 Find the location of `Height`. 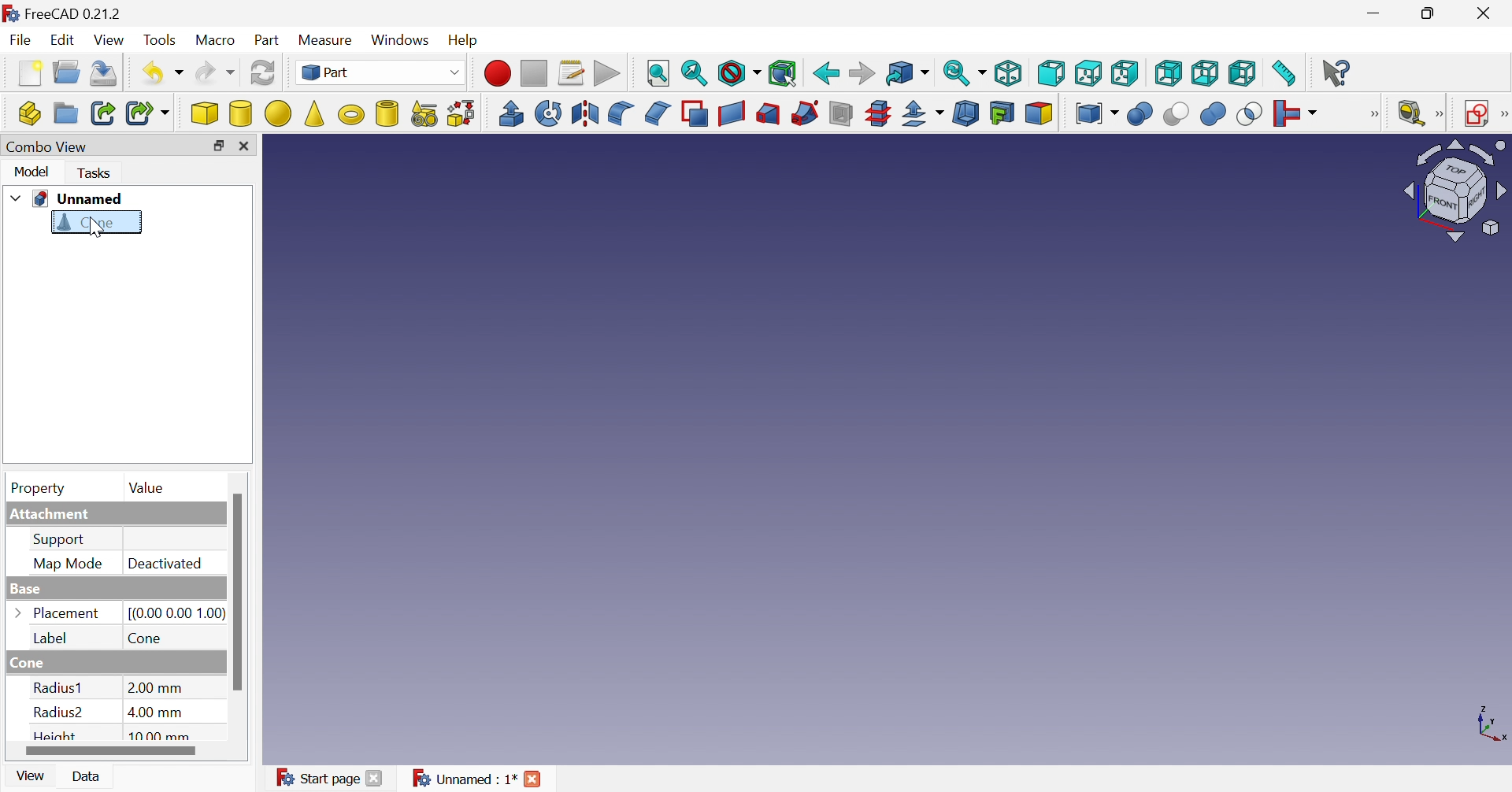

Height is located at coordinates (56, 736).